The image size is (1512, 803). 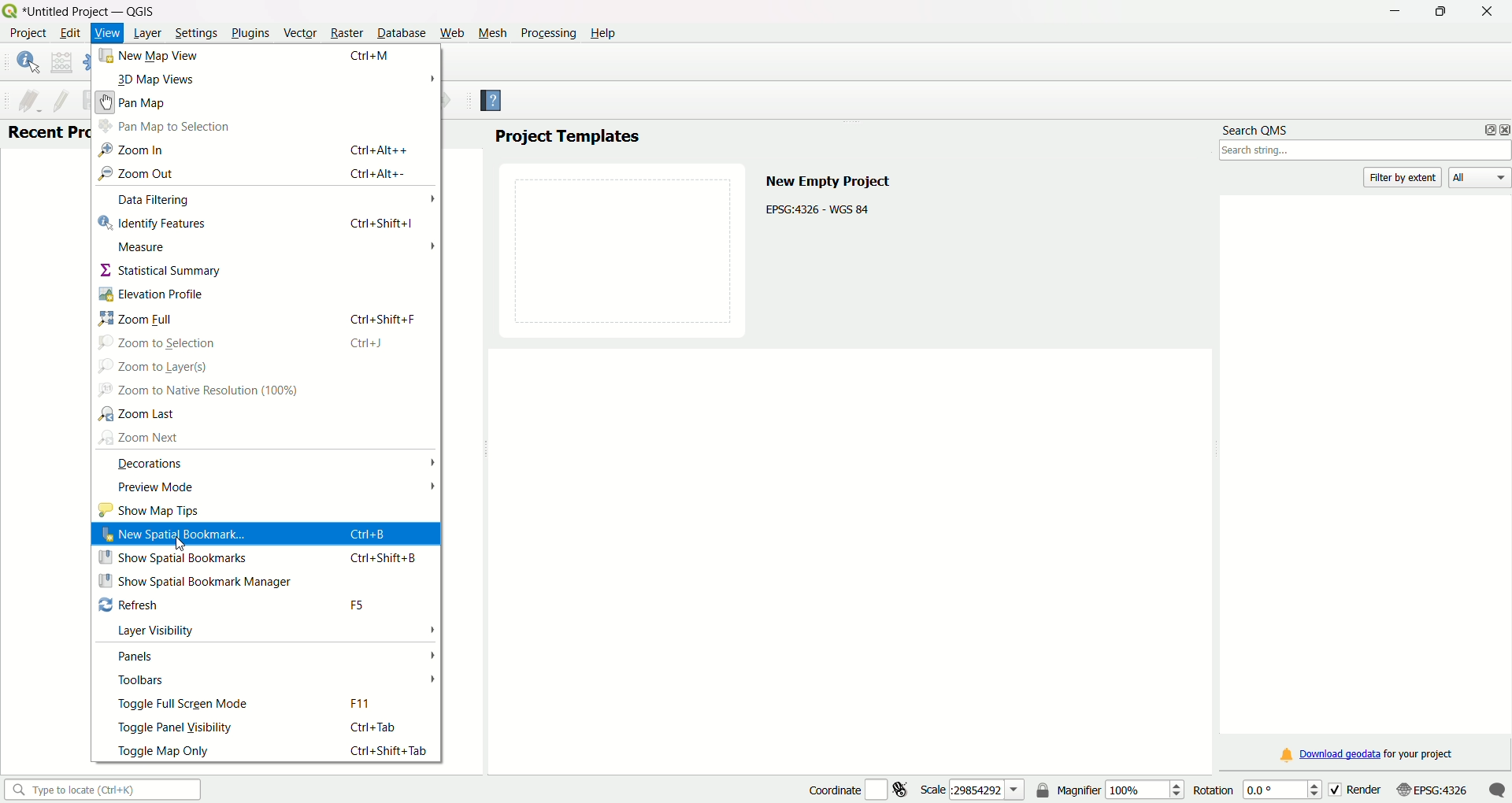 What do you see at coordinates (401, 33) in the screenshot?
I see `Database` at bounding box center [401, 33].